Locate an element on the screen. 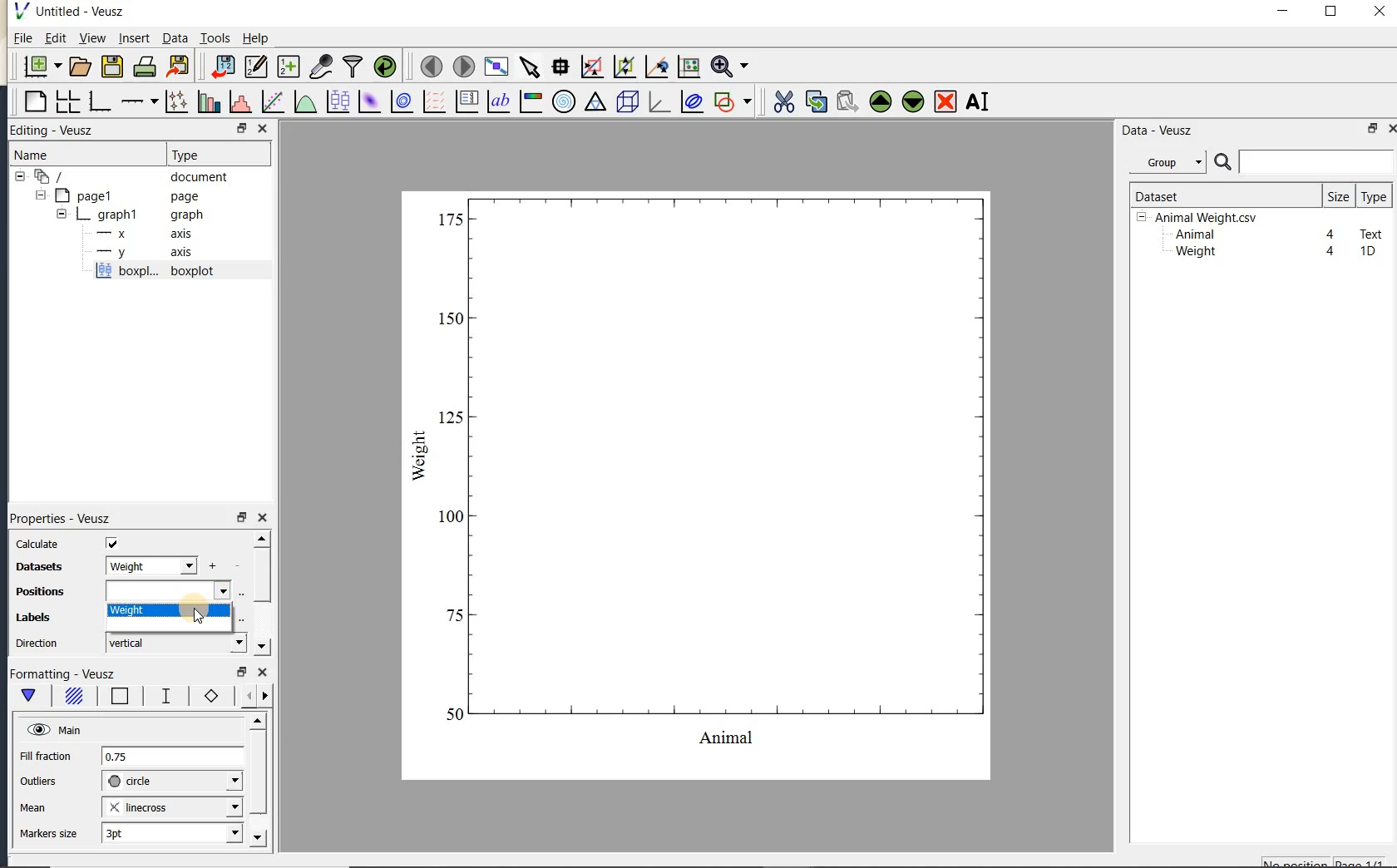 The width and height of the screenshot is (1397, 868). 3pt is located at coordinates (170, 832).